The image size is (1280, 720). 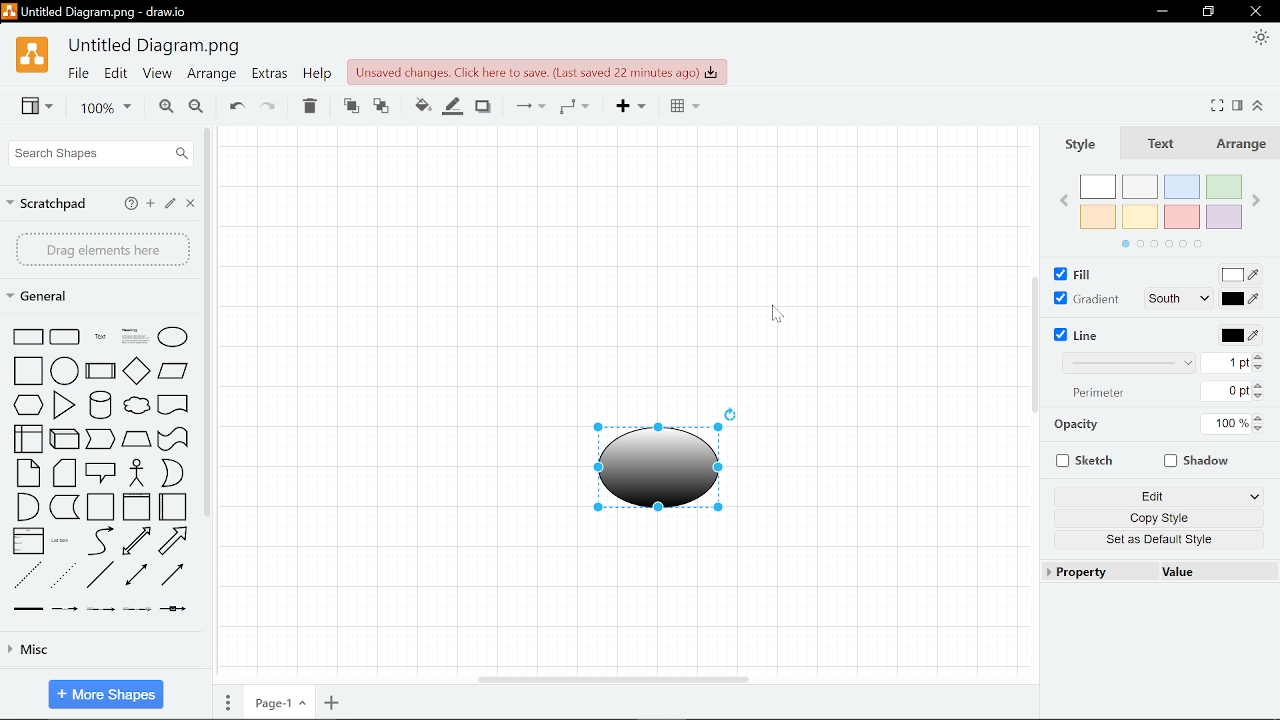 I want to click on Scratchpad, so click(x=48, y=205).